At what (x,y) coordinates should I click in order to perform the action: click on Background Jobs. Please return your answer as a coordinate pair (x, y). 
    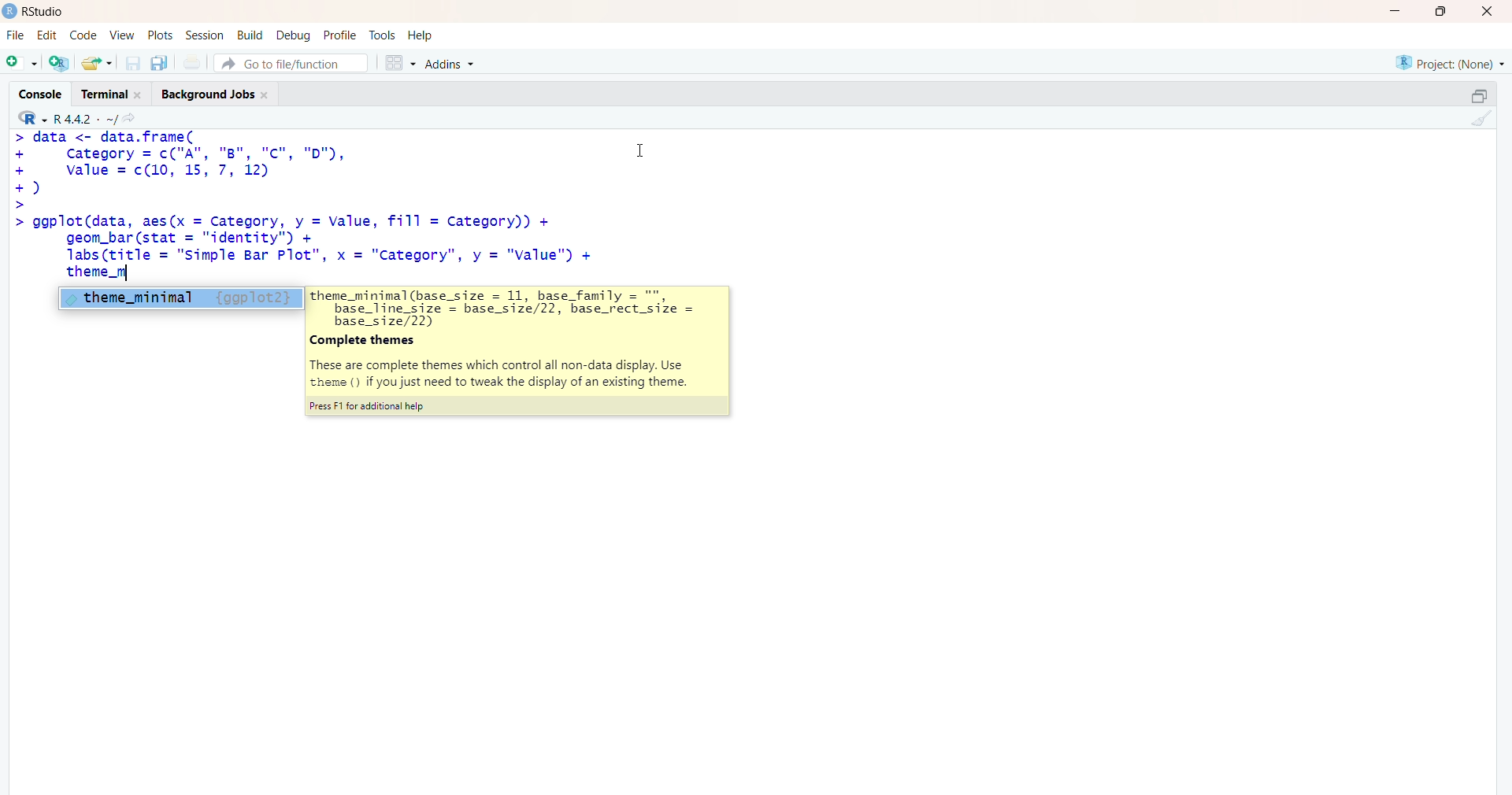
    Looking at the image, I should click on (214, 91).